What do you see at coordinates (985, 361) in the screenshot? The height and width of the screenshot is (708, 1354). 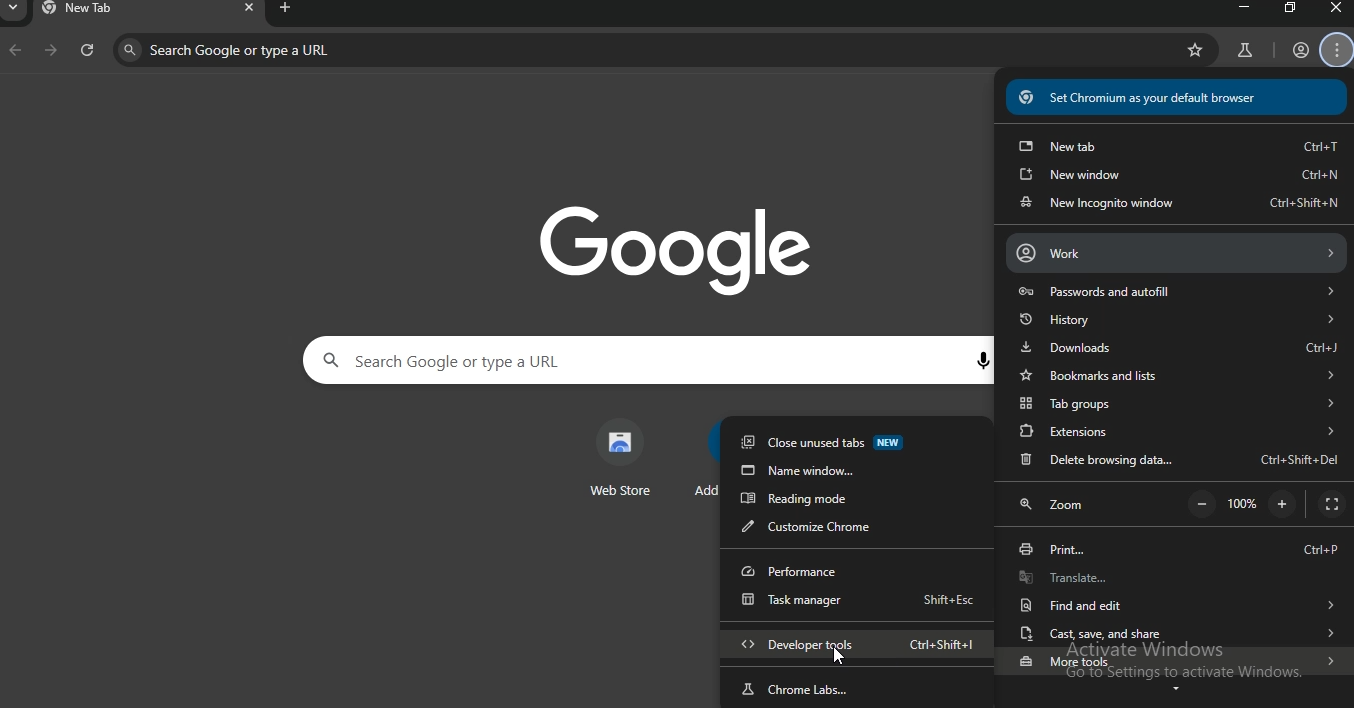 I see `voice search` at bounding box center [985, 361].